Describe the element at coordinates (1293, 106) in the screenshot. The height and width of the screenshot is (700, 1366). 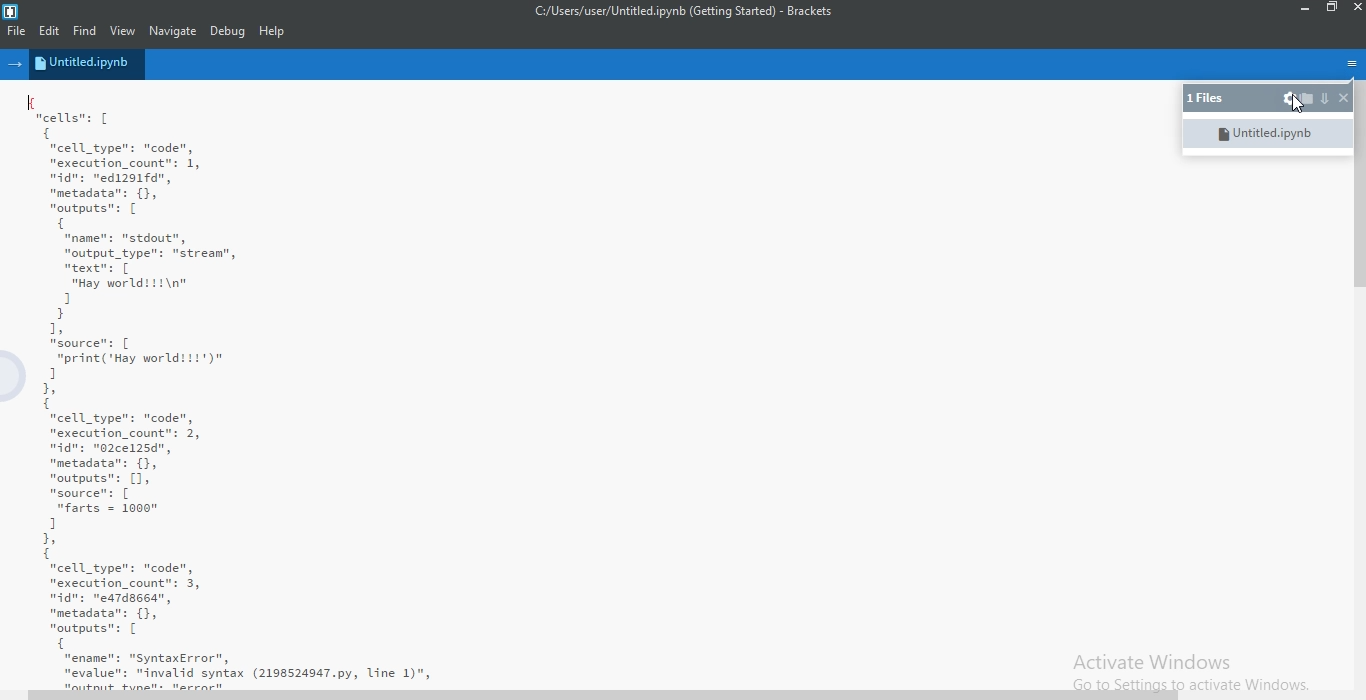
I see `cursor` at that location.